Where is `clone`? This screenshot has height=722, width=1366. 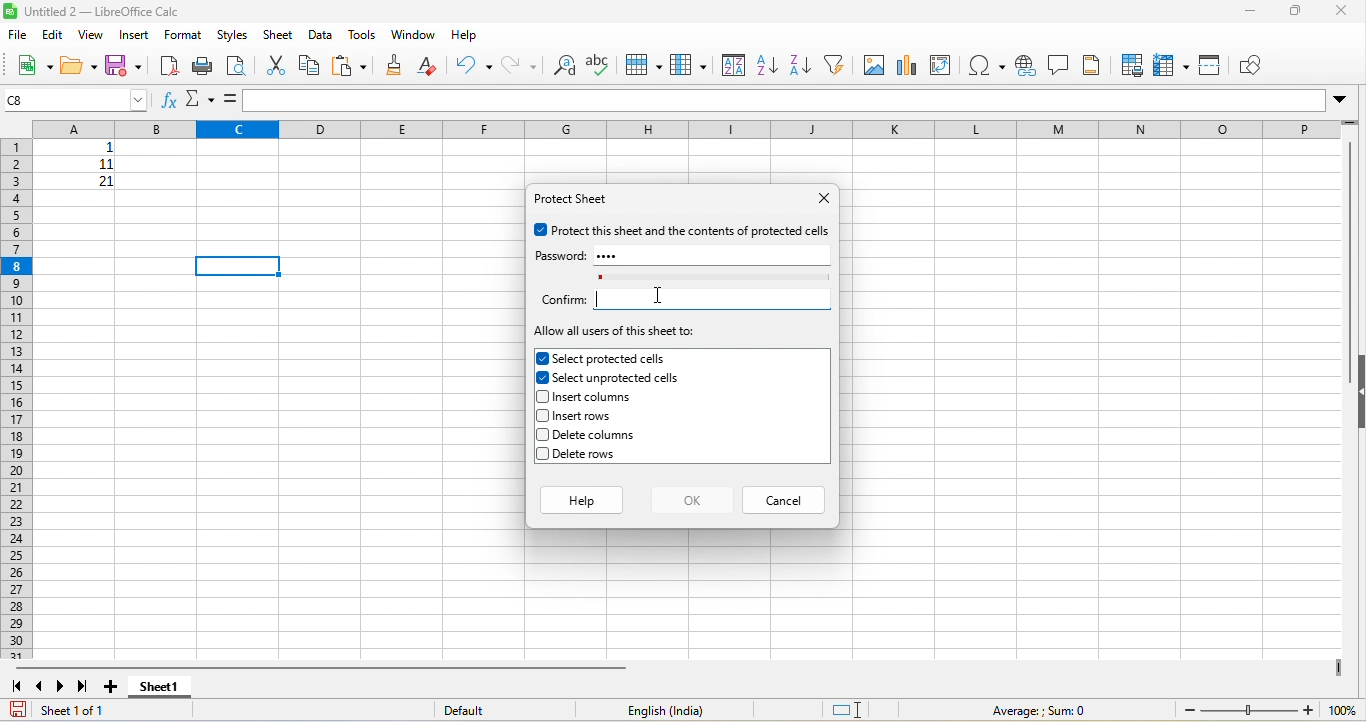 clone is located at coordinates (397, 65).